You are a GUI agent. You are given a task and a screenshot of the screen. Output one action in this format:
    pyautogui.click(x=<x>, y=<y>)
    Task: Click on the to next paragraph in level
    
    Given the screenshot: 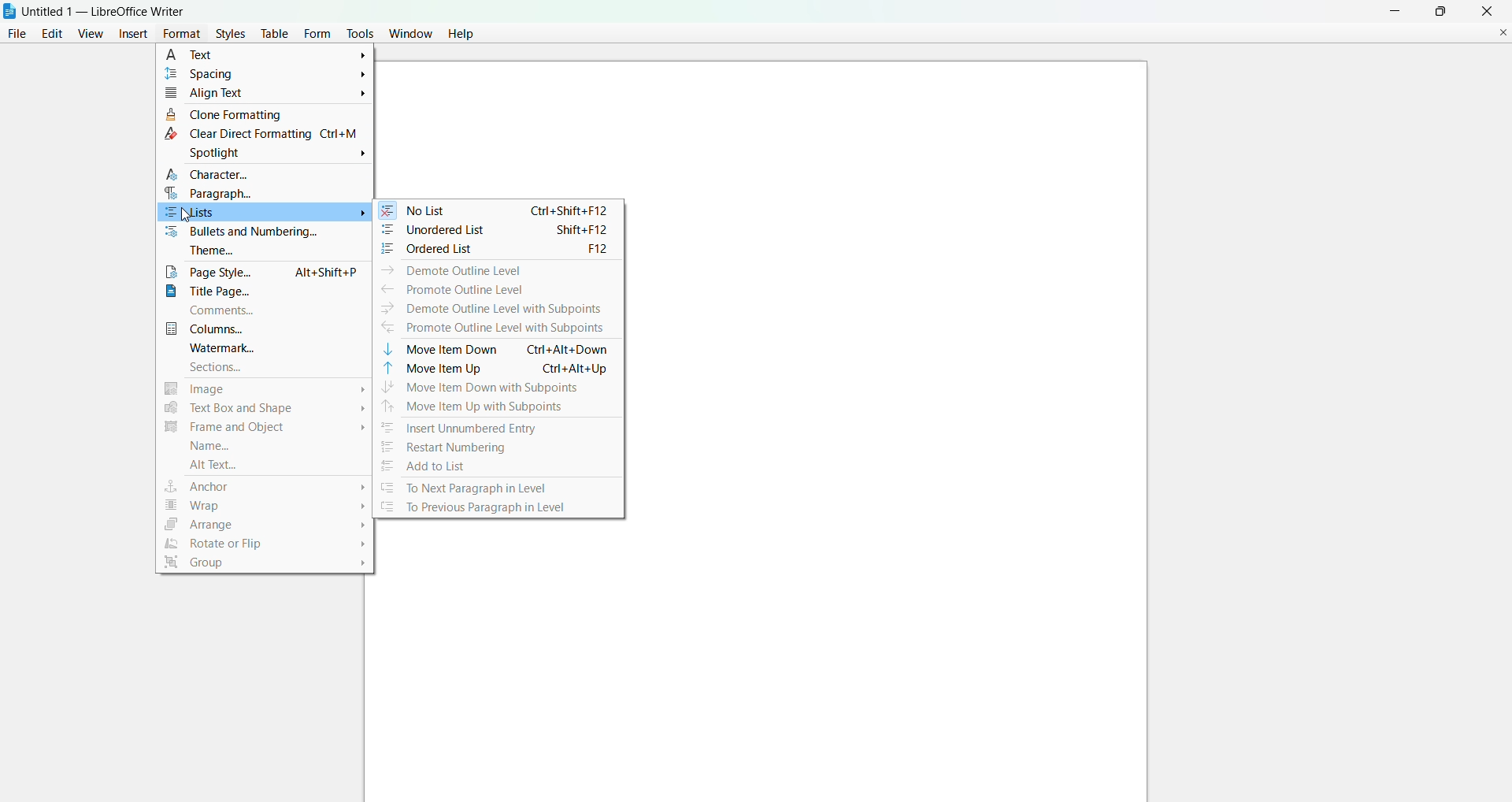 What is the action you would take?
    pyautogui.click(x=471, y=487)
    